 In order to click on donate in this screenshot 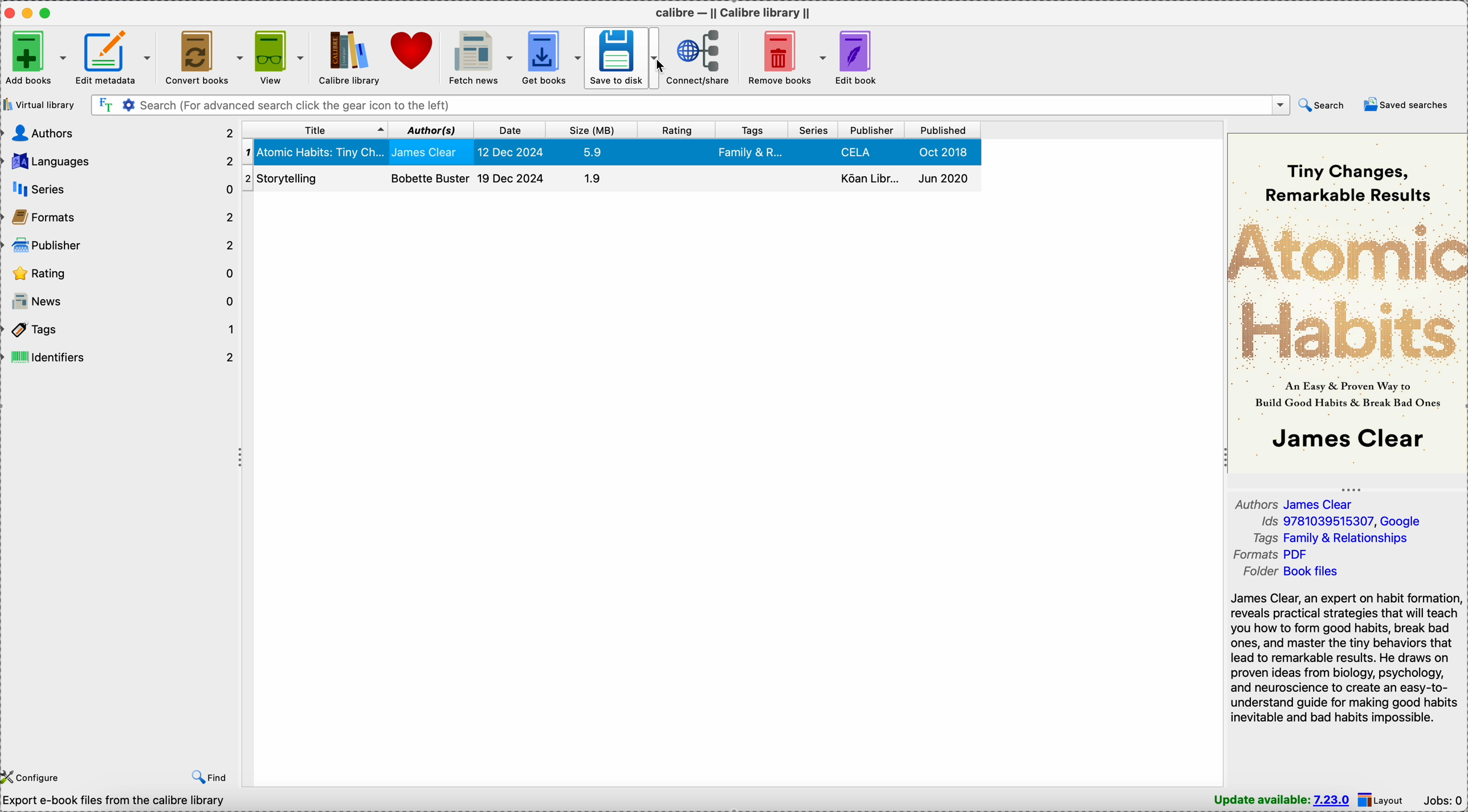, I will do `click(413, 51)`.